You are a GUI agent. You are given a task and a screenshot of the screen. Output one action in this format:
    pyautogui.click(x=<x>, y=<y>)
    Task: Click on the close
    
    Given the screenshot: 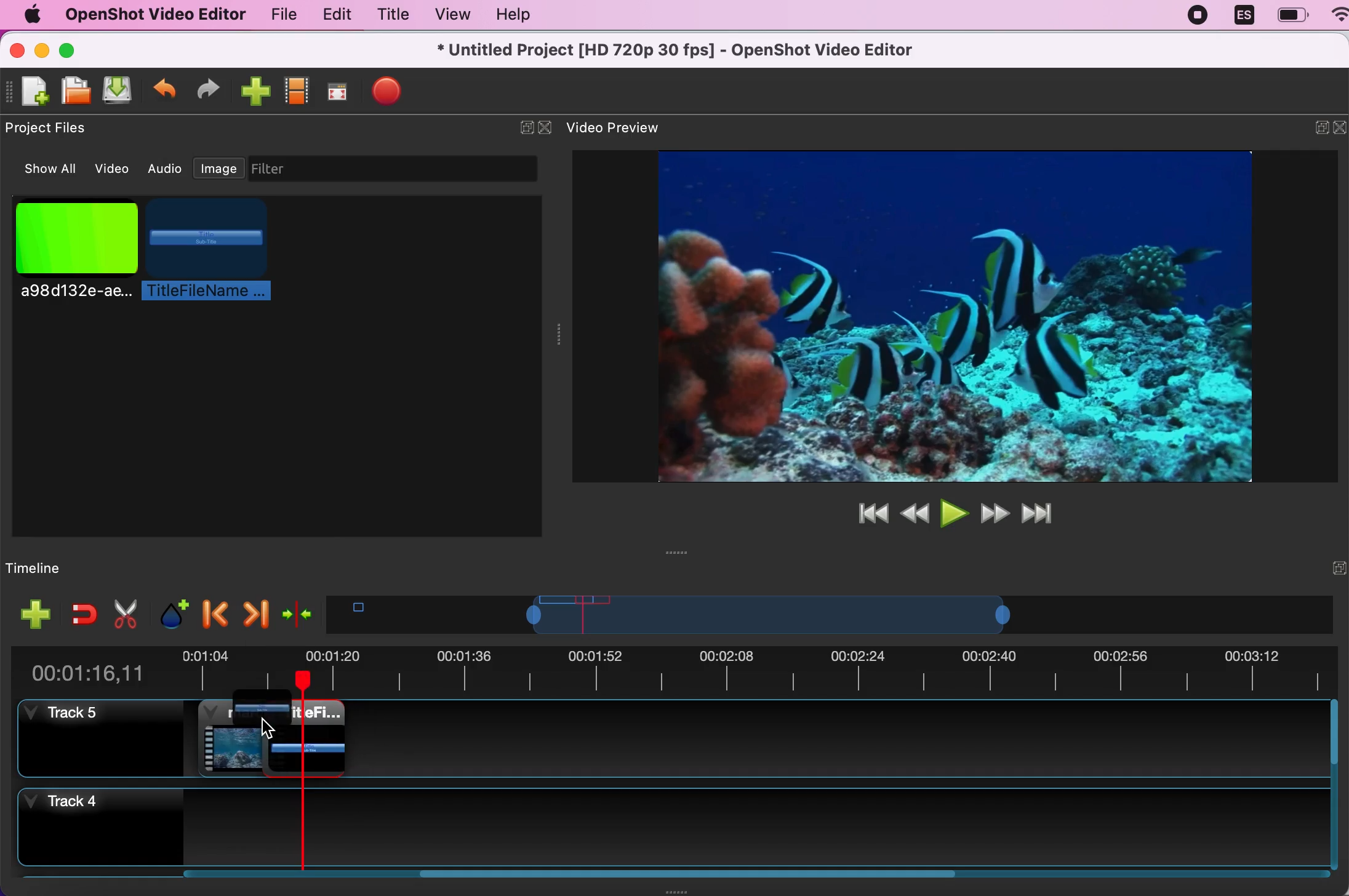 What is the action you would take?
    pyautogui.click(x=545, y=128)
    